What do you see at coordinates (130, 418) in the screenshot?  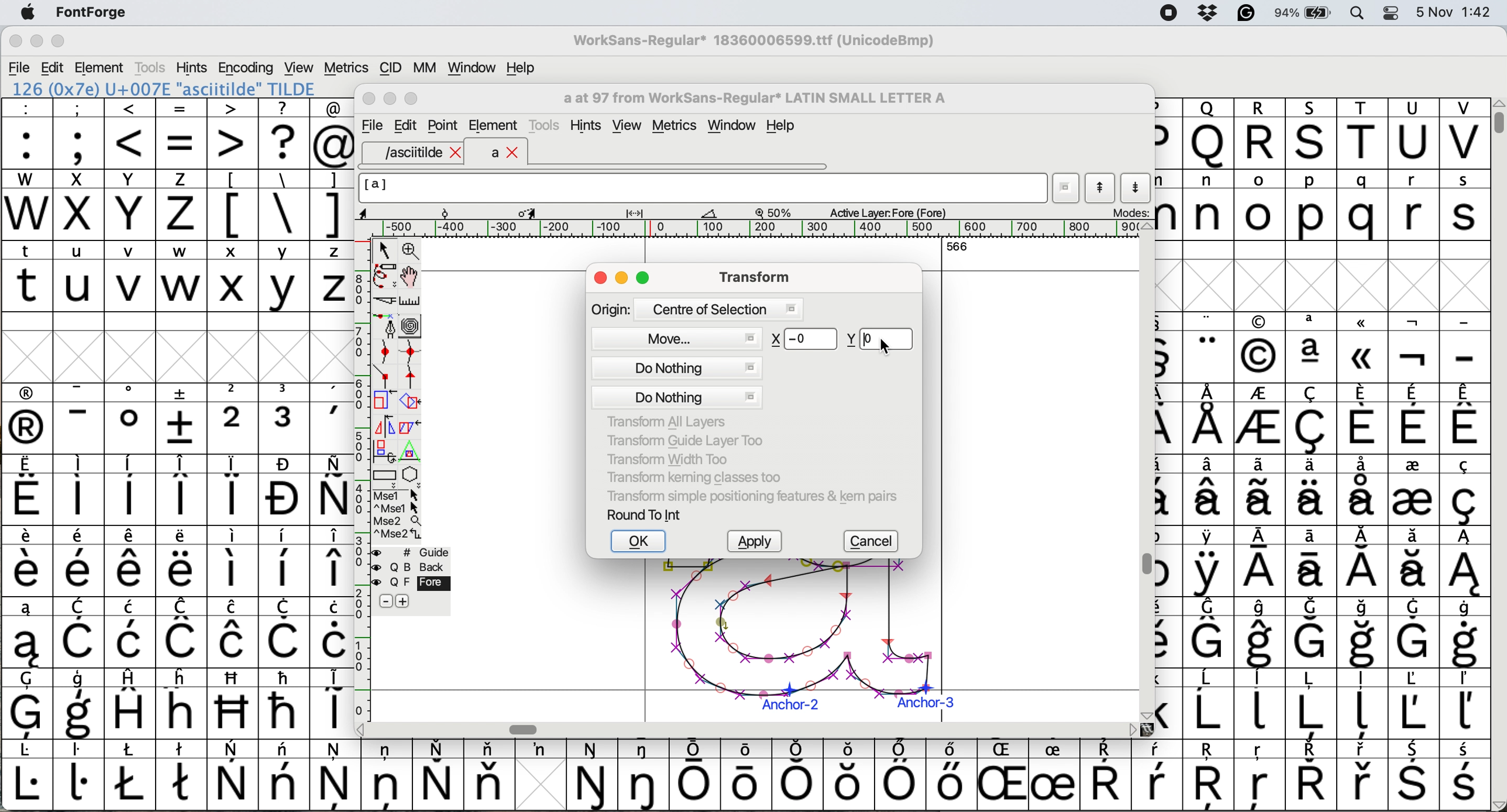 I see `symbol` at bounding box center [130, 418].